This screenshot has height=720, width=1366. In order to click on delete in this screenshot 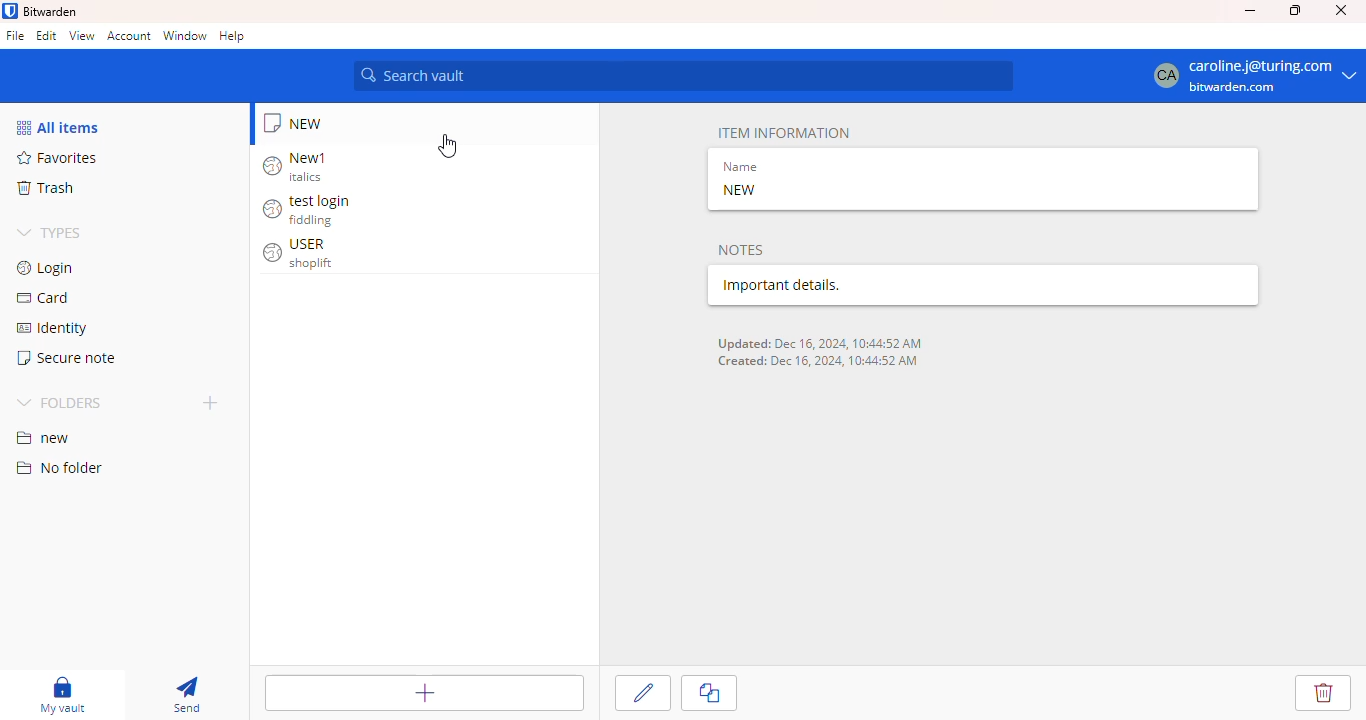, I will do `click(1323, 693)`.